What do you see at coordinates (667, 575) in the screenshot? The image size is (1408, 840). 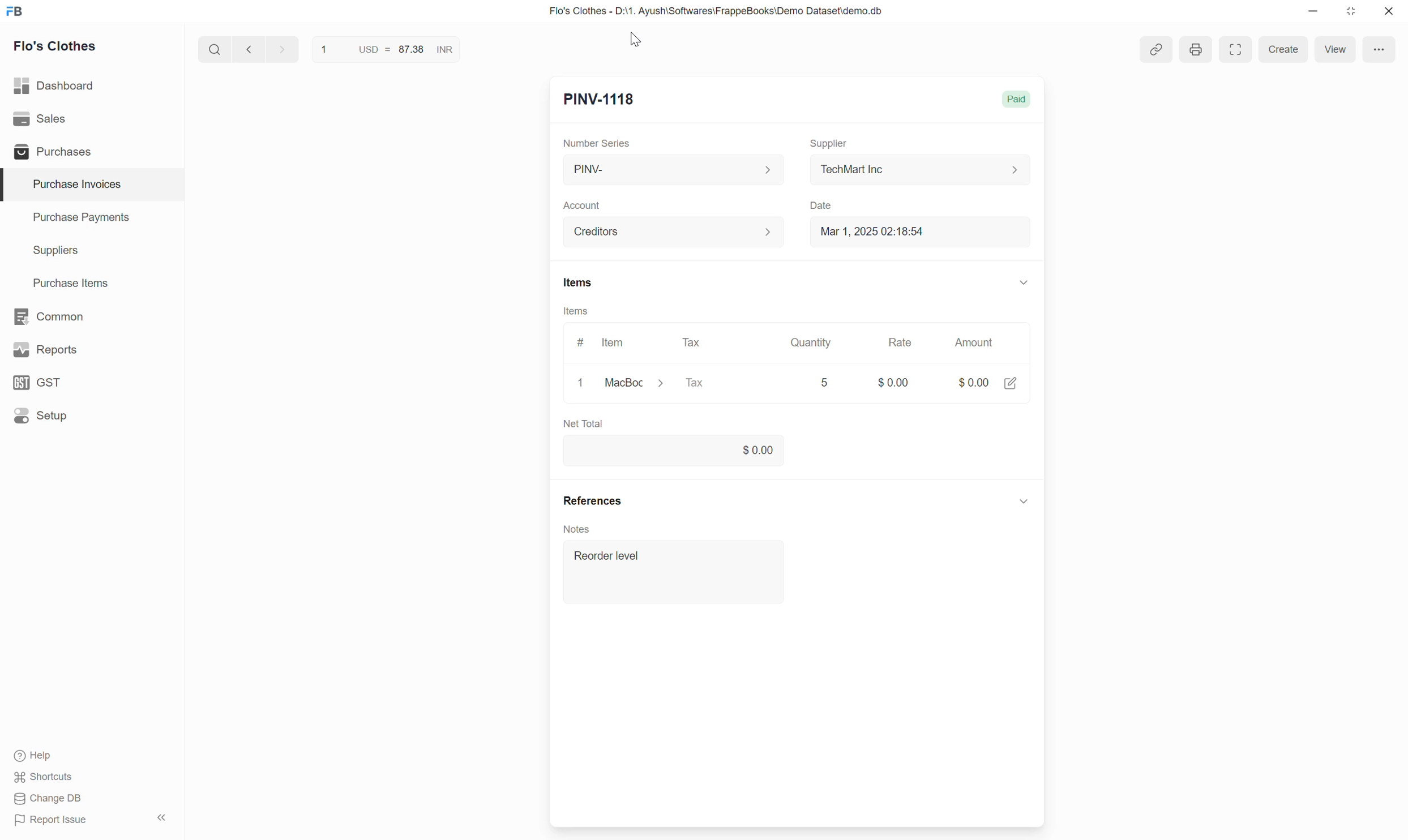 I see `Reorder level` at bounding box center [667, 575].